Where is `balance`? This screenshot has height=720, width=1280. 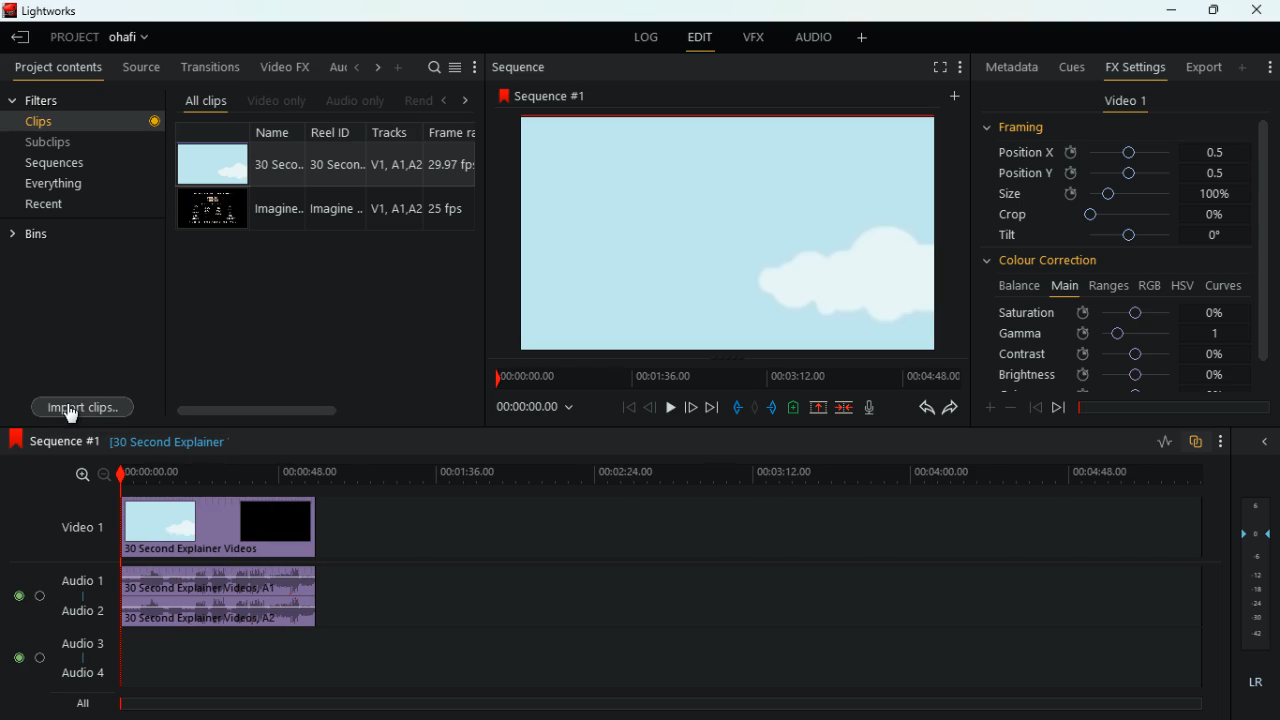
balance is located at coordinates (1016, 286).